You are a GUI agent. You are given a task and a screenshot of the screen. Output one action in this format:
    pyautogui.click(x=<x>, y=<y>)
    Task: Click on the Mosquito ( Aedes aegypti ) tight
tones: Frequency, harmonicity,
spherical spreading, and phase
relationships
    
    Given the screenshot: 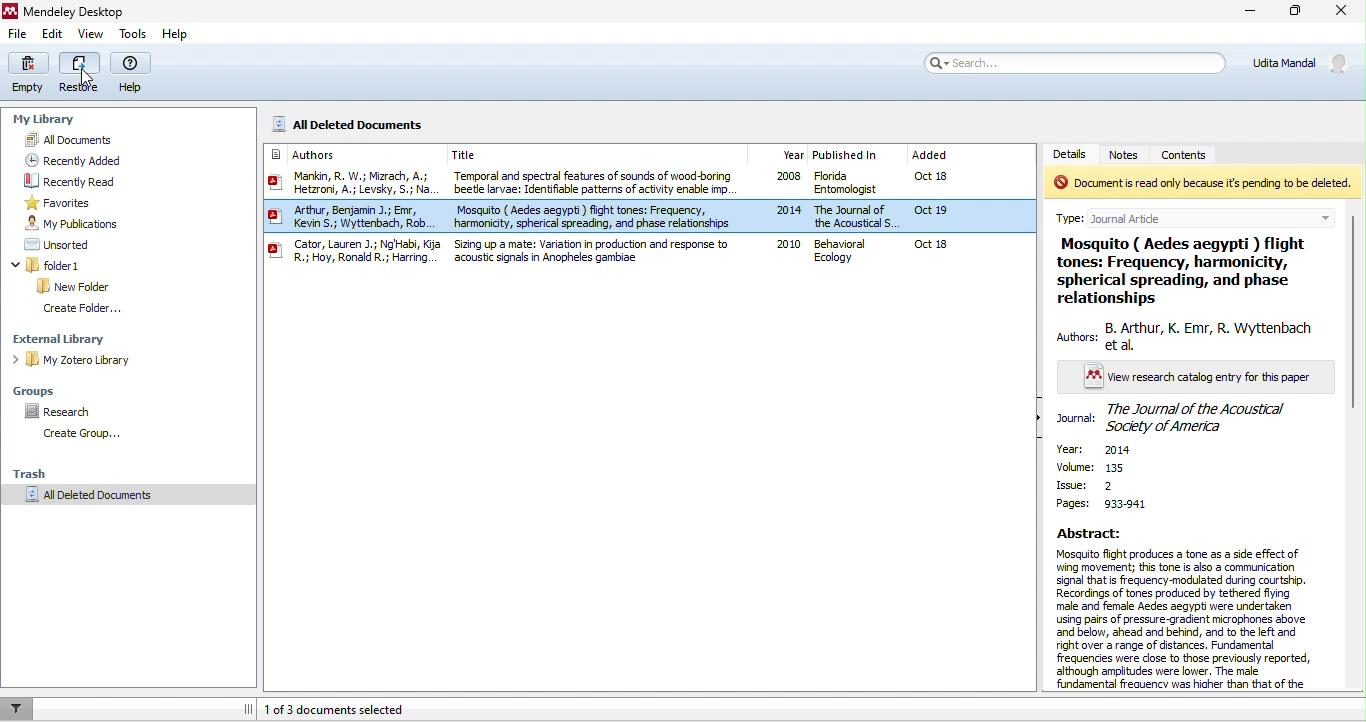 What is the action you would take?
    pyautogui.click(x=1182, y=273)
    